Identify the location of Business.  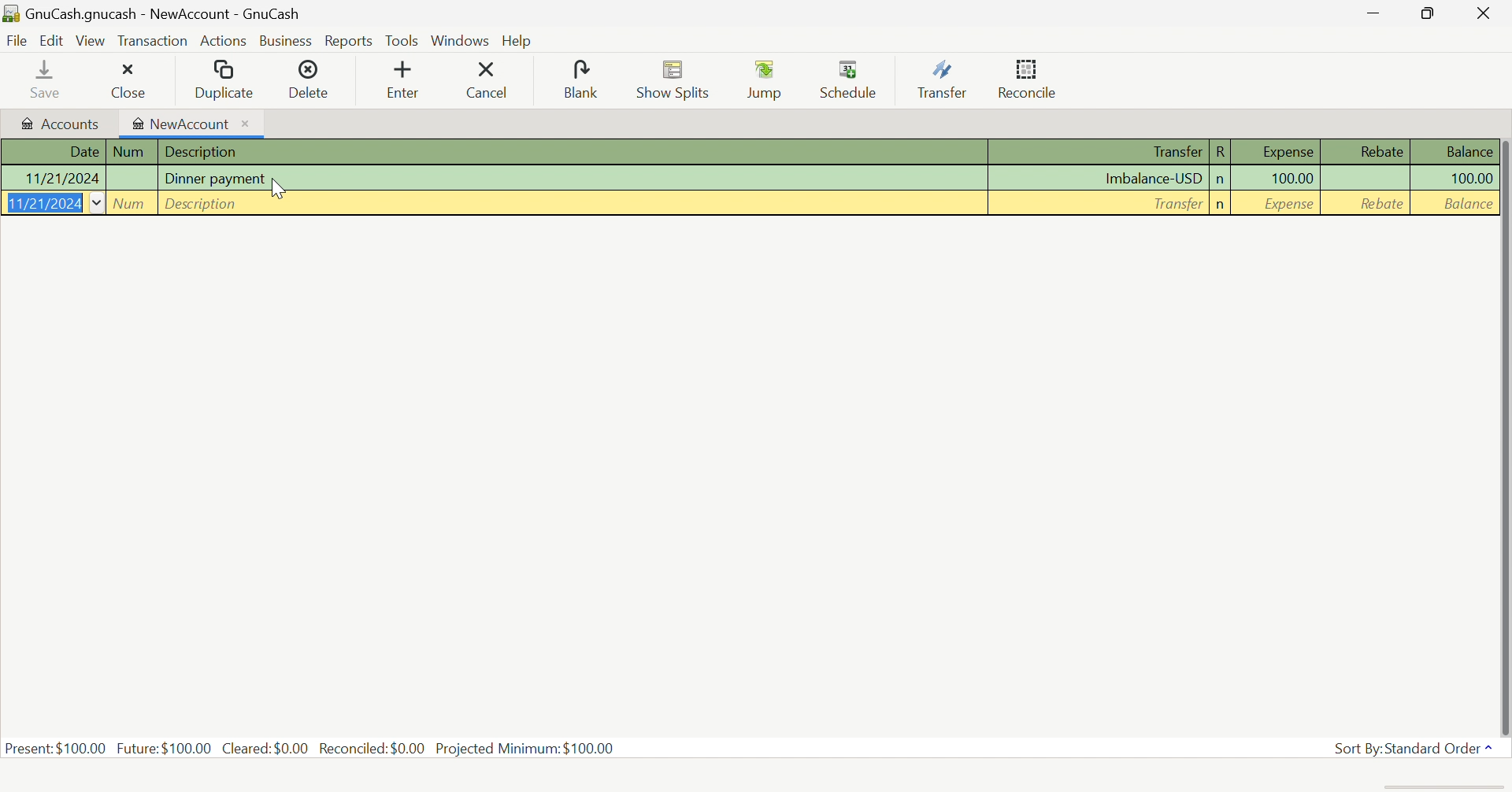
(287, 42).